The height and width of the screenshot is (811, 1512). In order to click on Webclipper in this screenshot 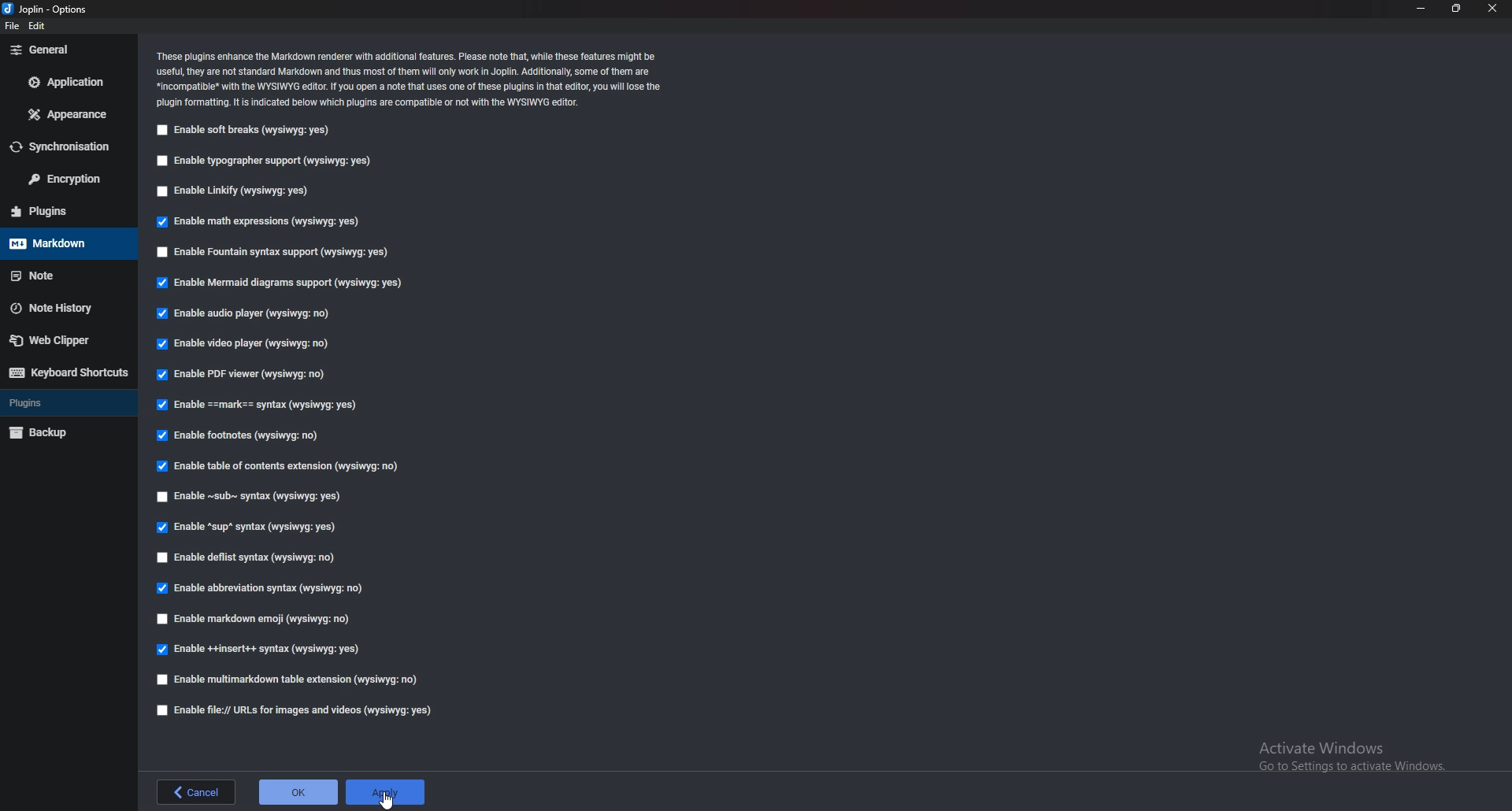, I will do `click(67, 342)`.